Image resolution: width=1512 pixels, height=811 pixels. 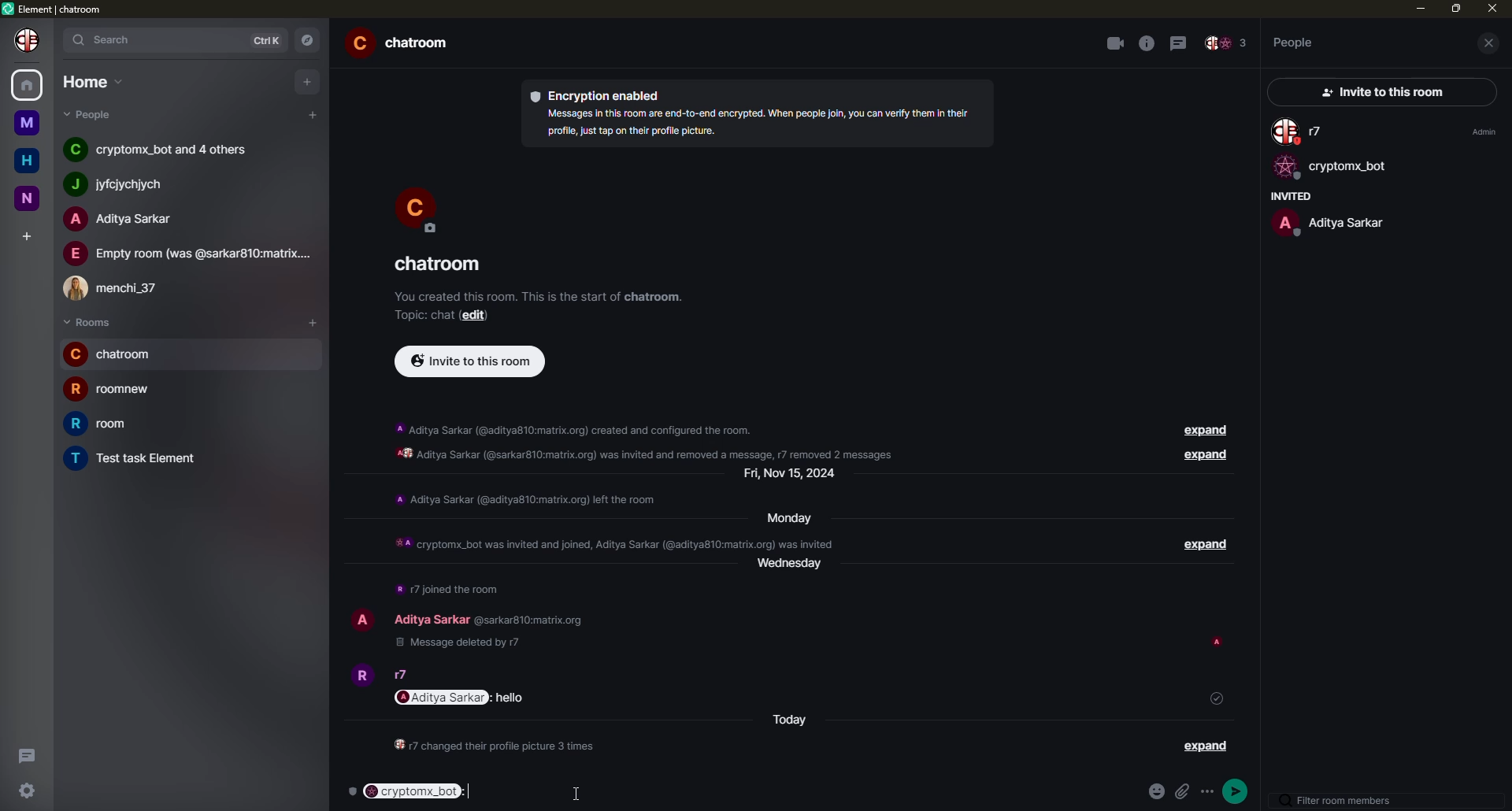 I want to click on attach, so click(x=1186, y=793).